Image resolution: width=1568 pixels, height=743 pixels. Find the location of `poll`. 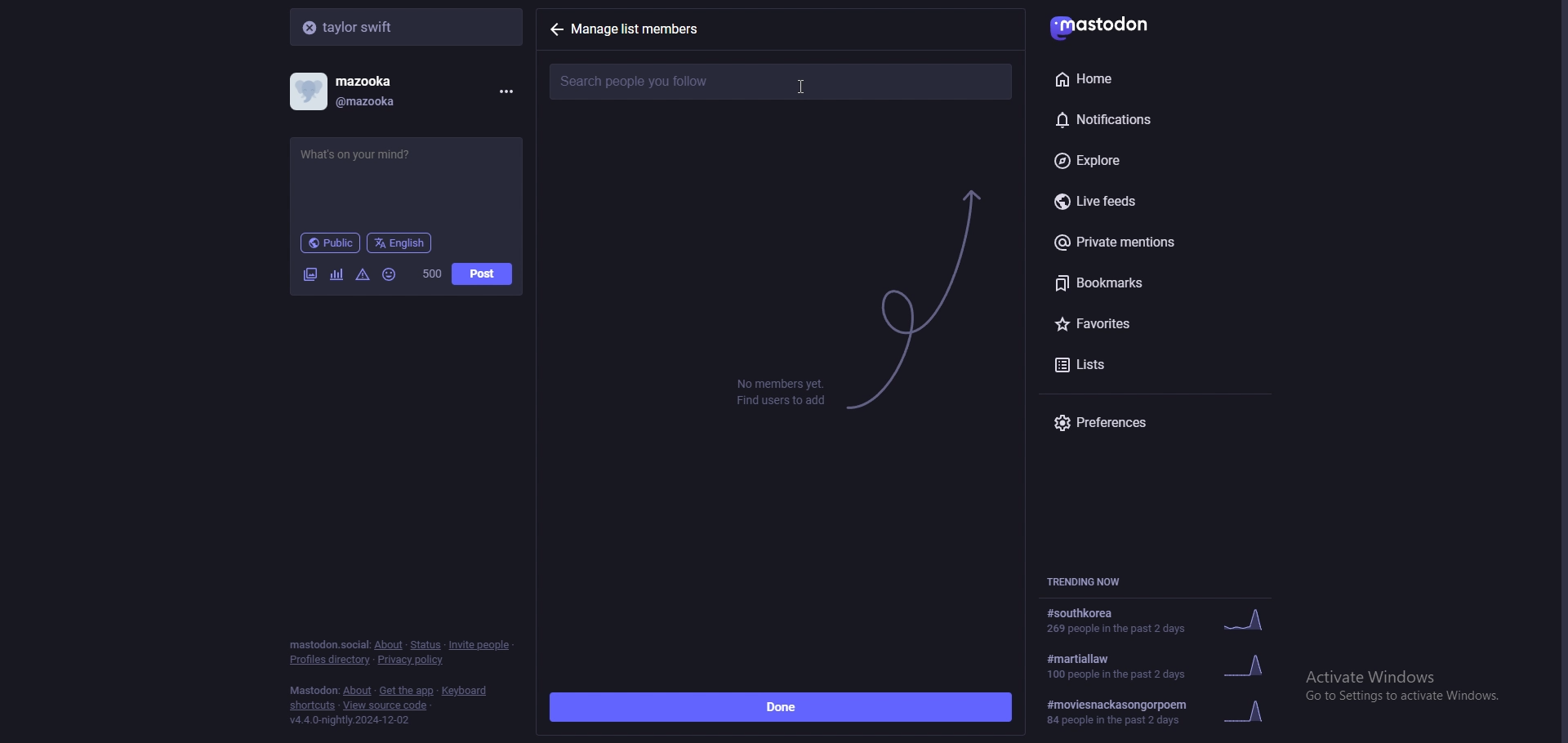

poll is located at coordinates (336, 274).